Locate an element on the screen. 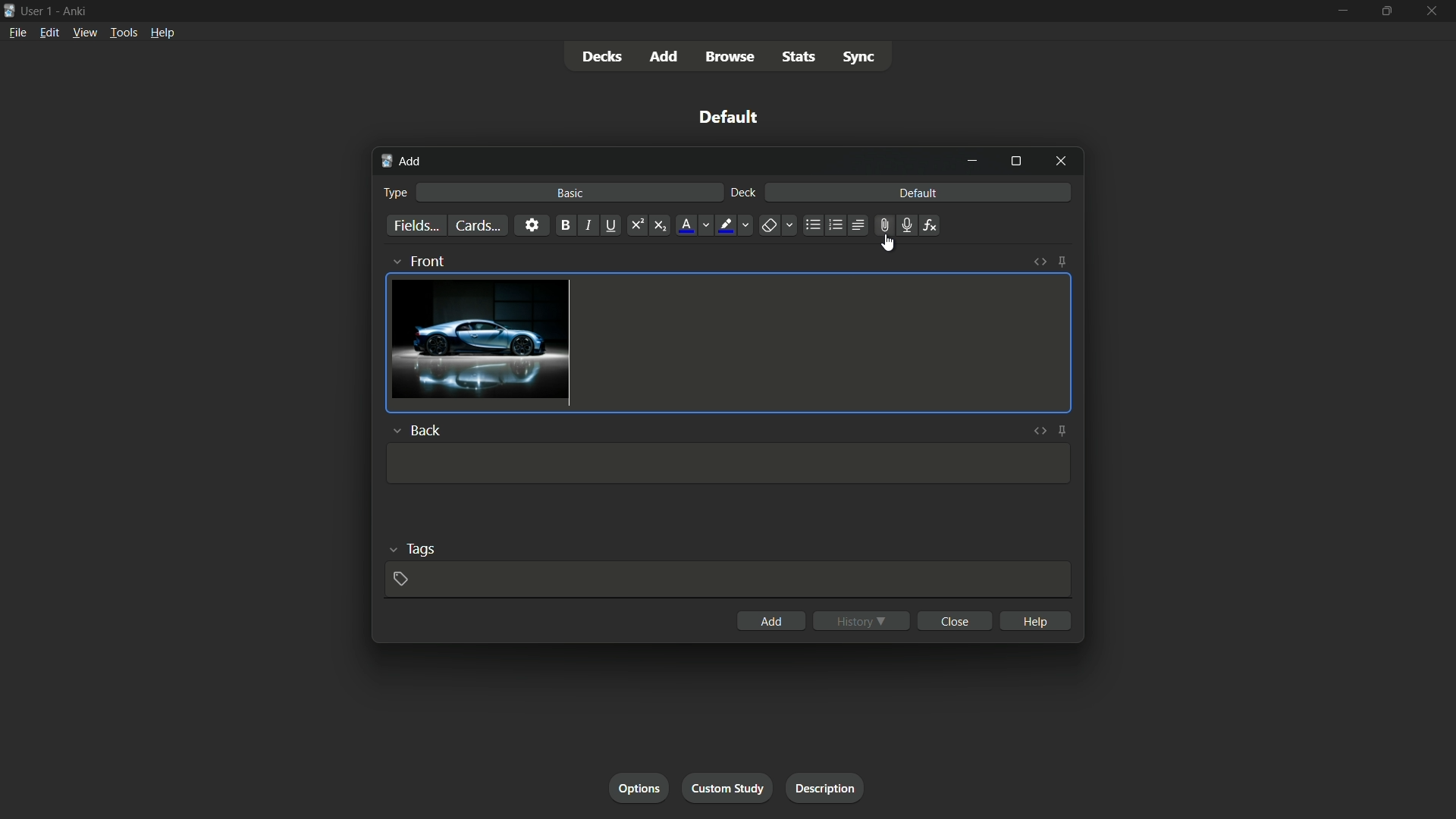 This screenshot has width=1456, height=819. toggle sticky is located at coordinates (1062, 430).